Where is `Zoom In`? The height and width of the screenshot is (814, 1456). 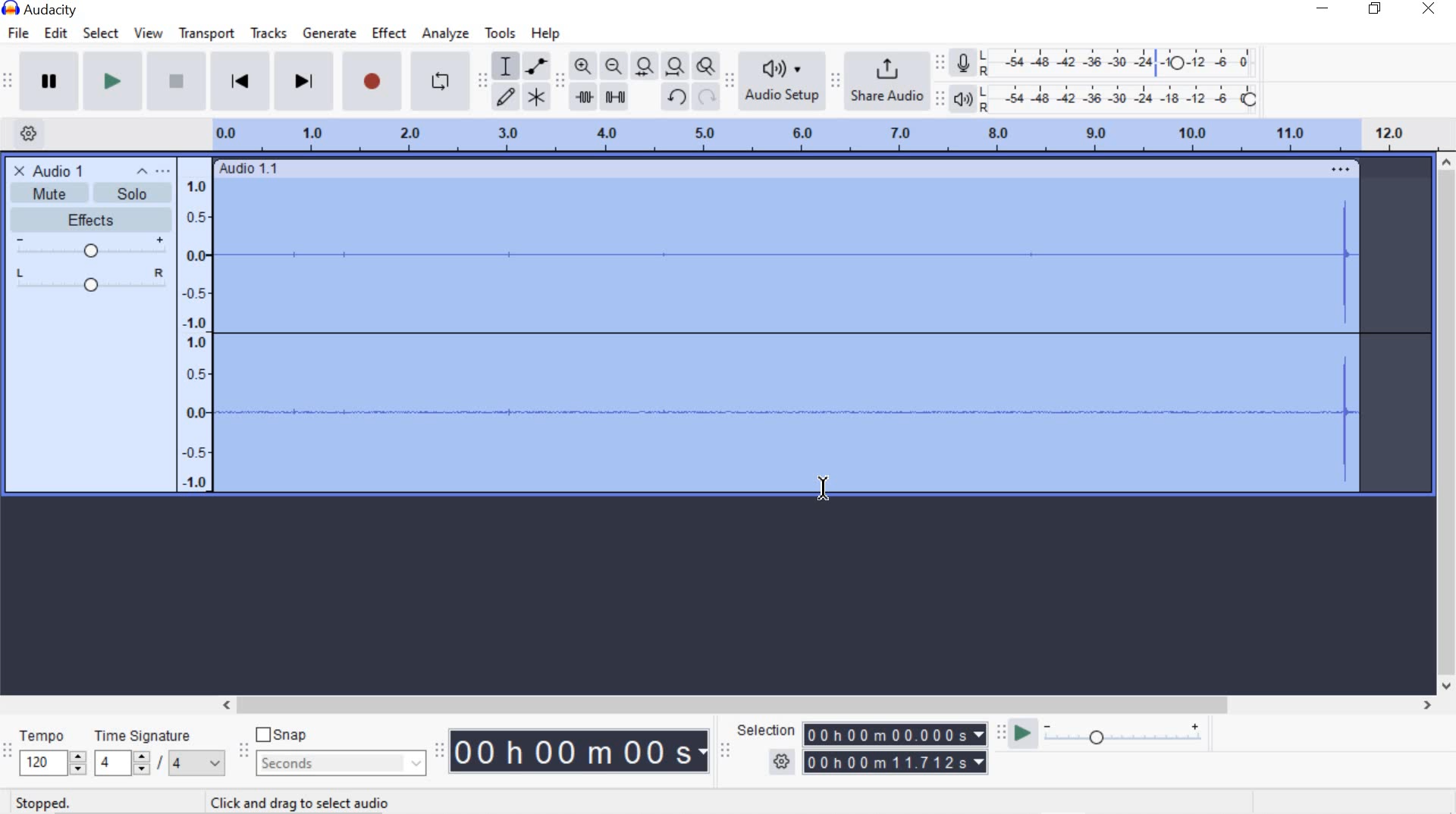
Zoom In is located at coordinates (582, 65).